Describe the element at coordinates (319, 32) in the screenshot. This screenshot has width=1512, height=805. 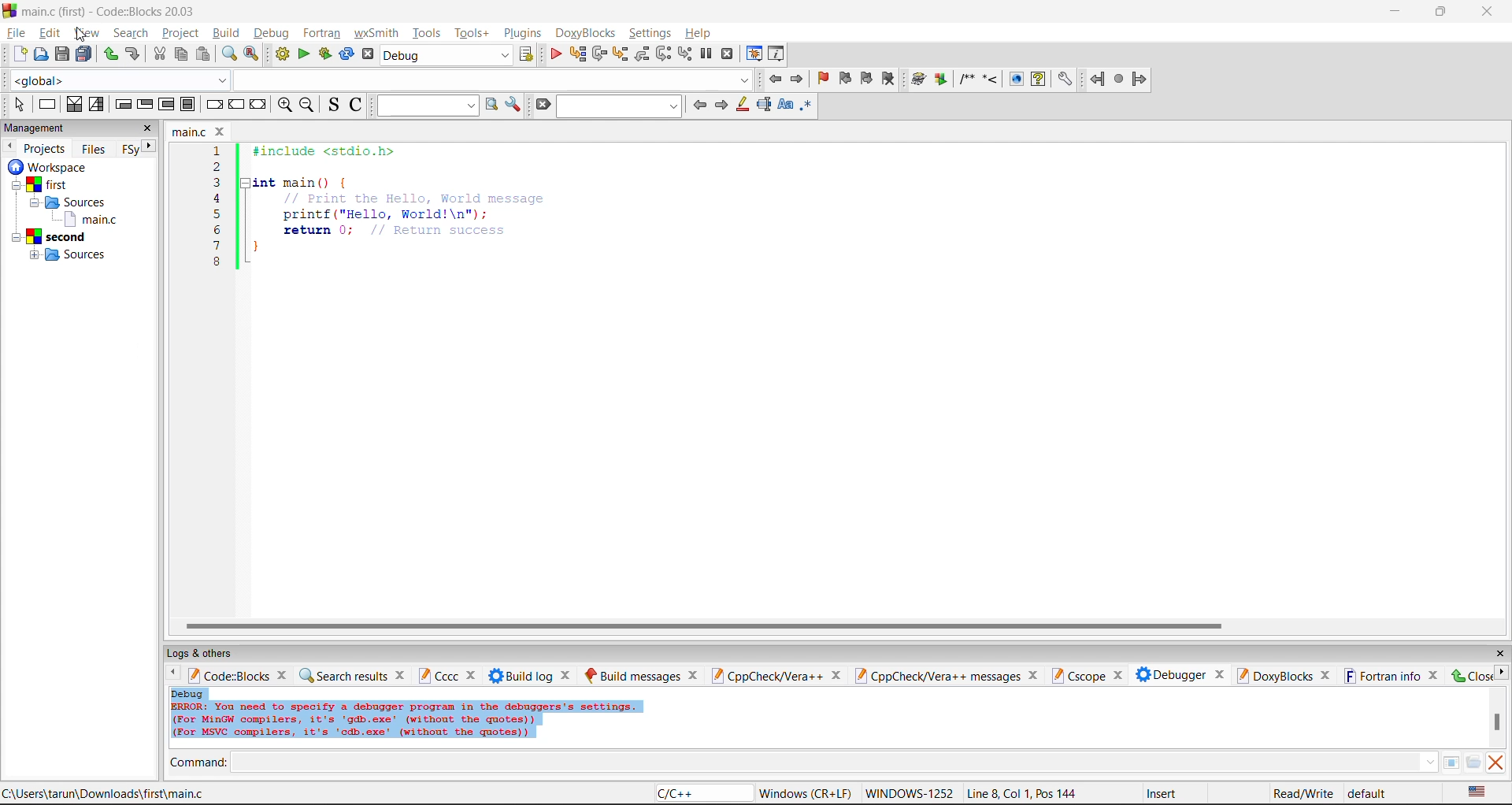
I see `fortran` at that location.